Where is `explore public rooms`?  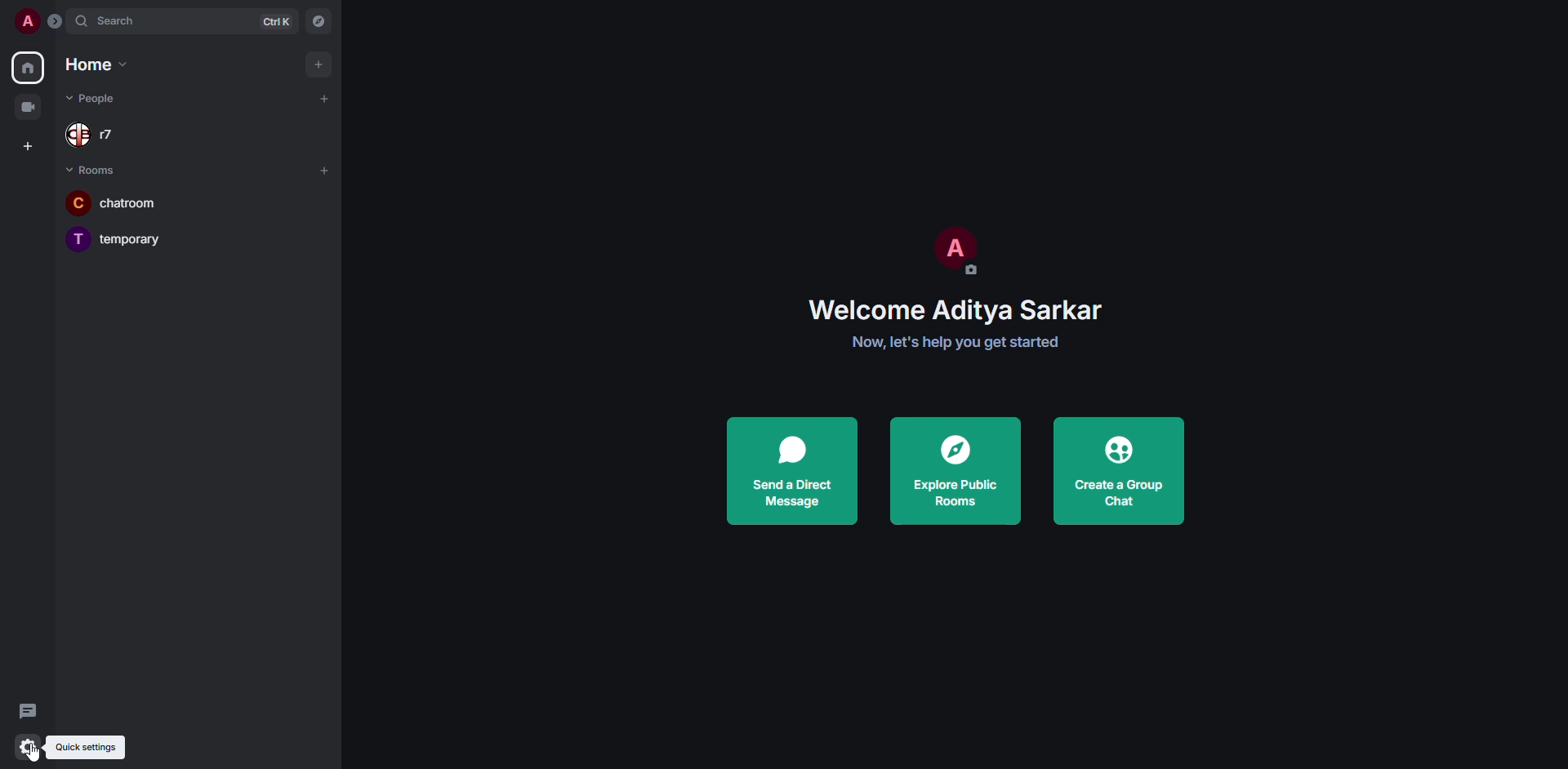
explore public rooms is located at coordinates (957, 469).